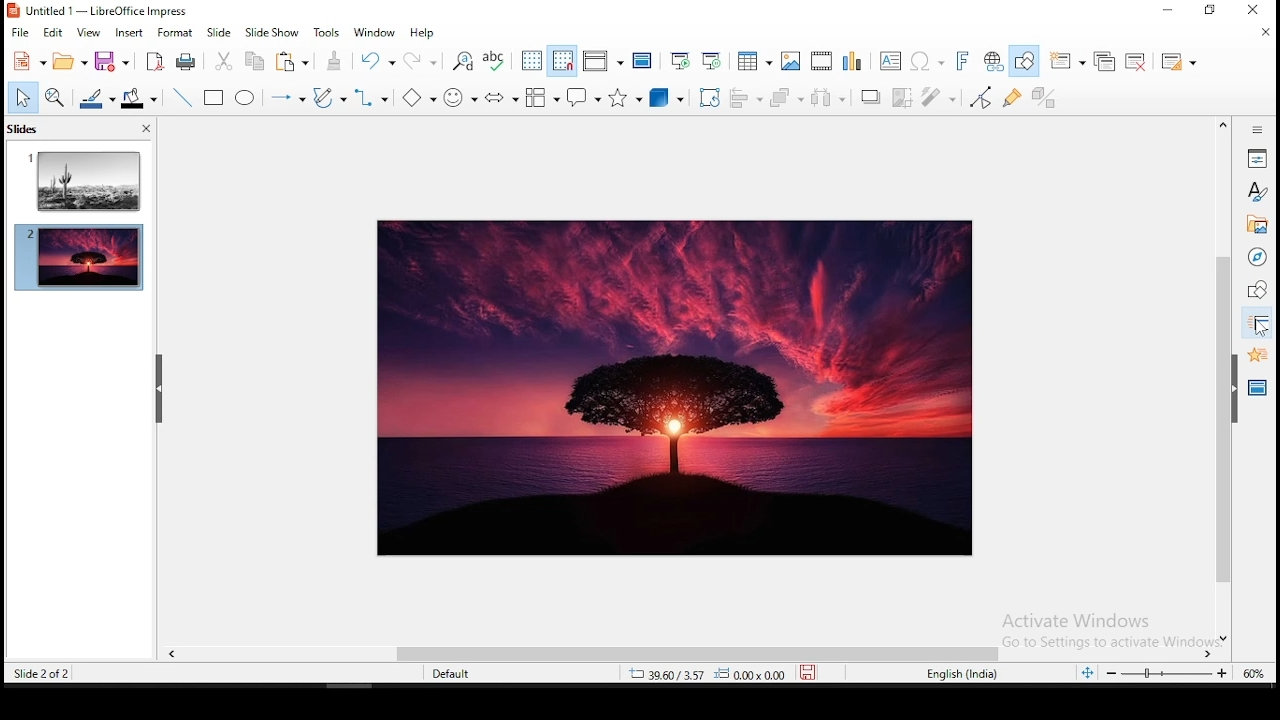 This screenshot has width=1280, height=720. What do you see at coordinates (1256, 257) in the screenshot?
I see `navigator` at bounding box center [1256, 257].